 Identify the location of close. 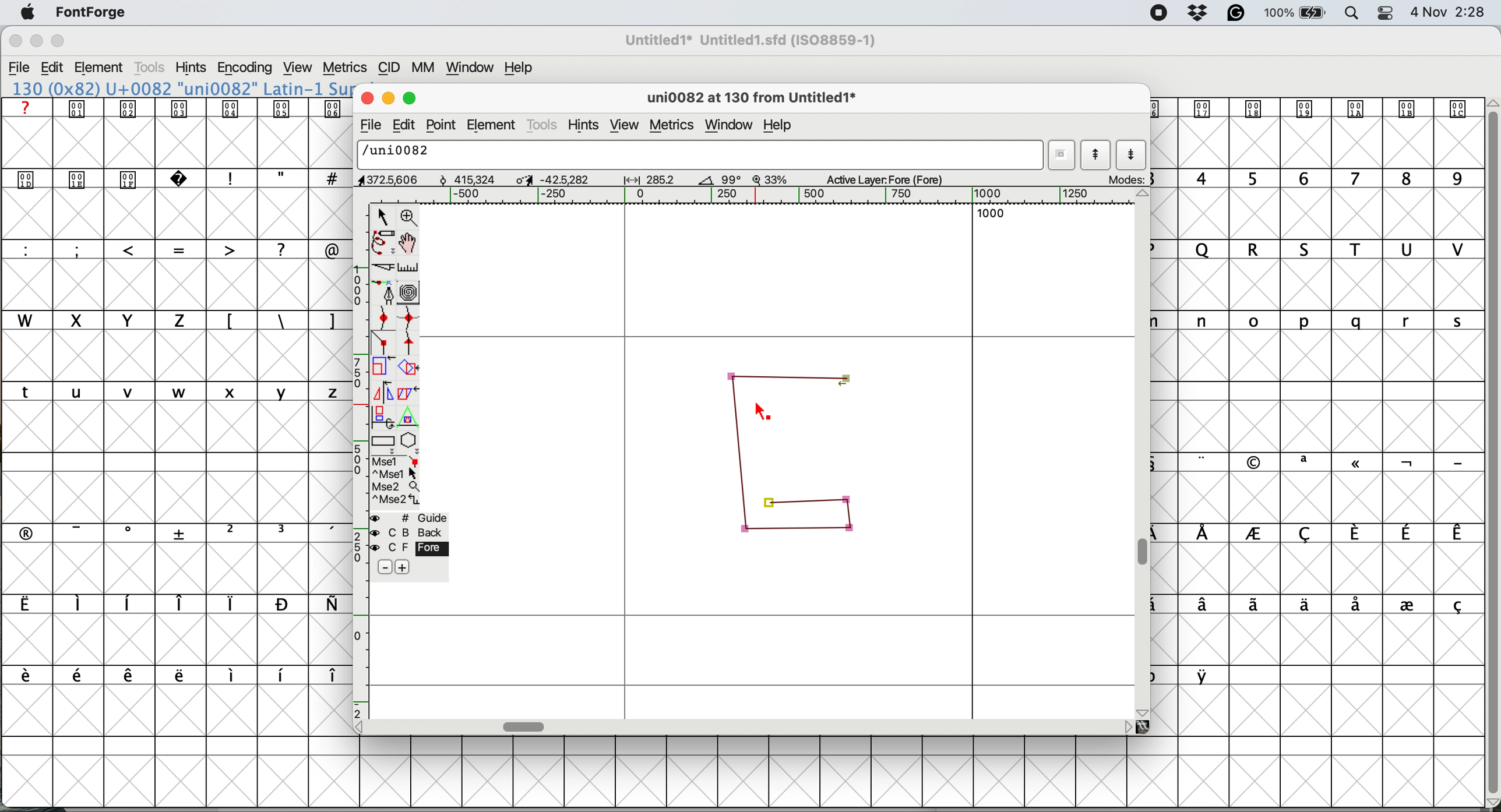
(365, 96).